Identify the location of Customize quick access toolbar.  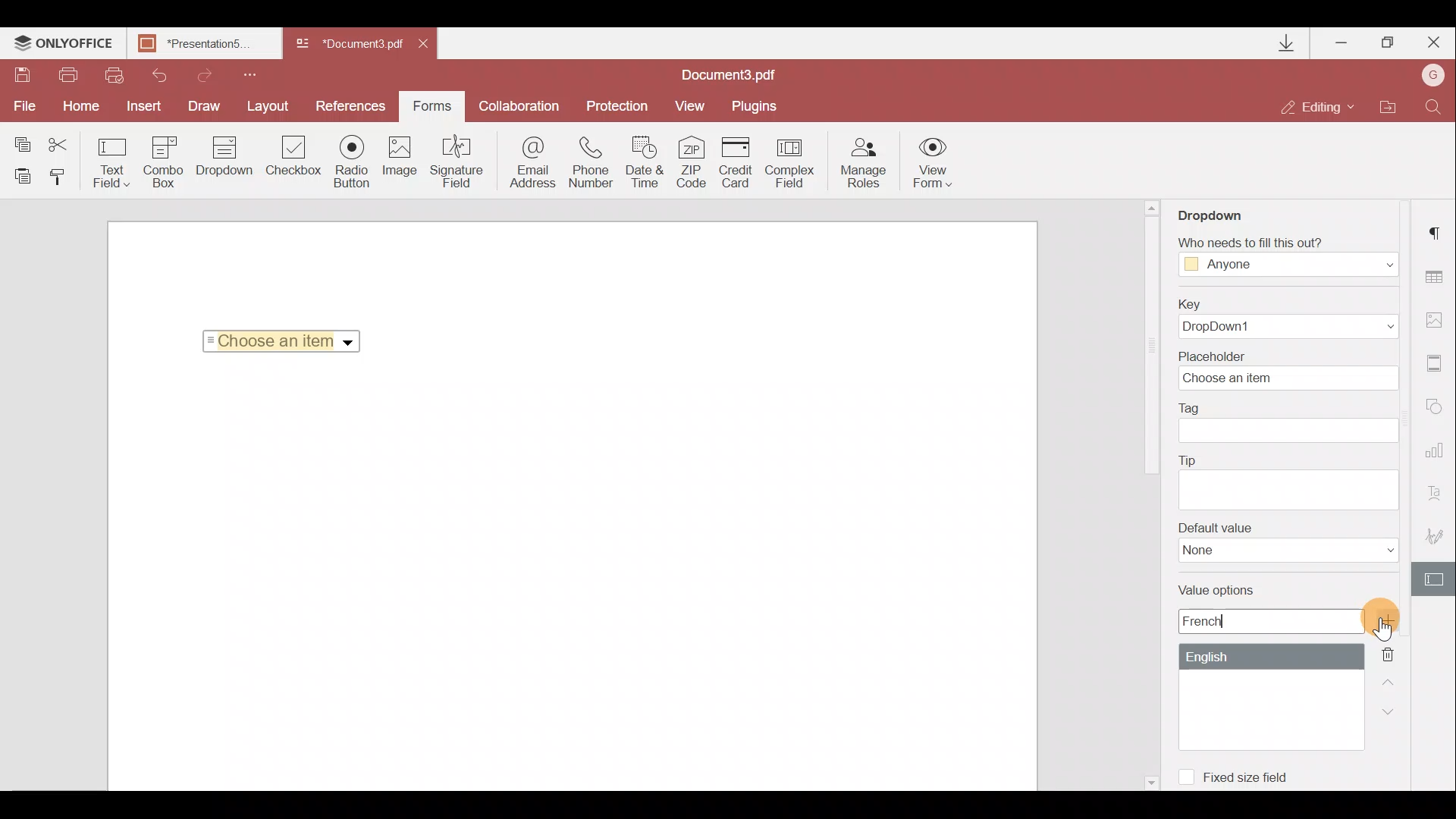
(244, 73).